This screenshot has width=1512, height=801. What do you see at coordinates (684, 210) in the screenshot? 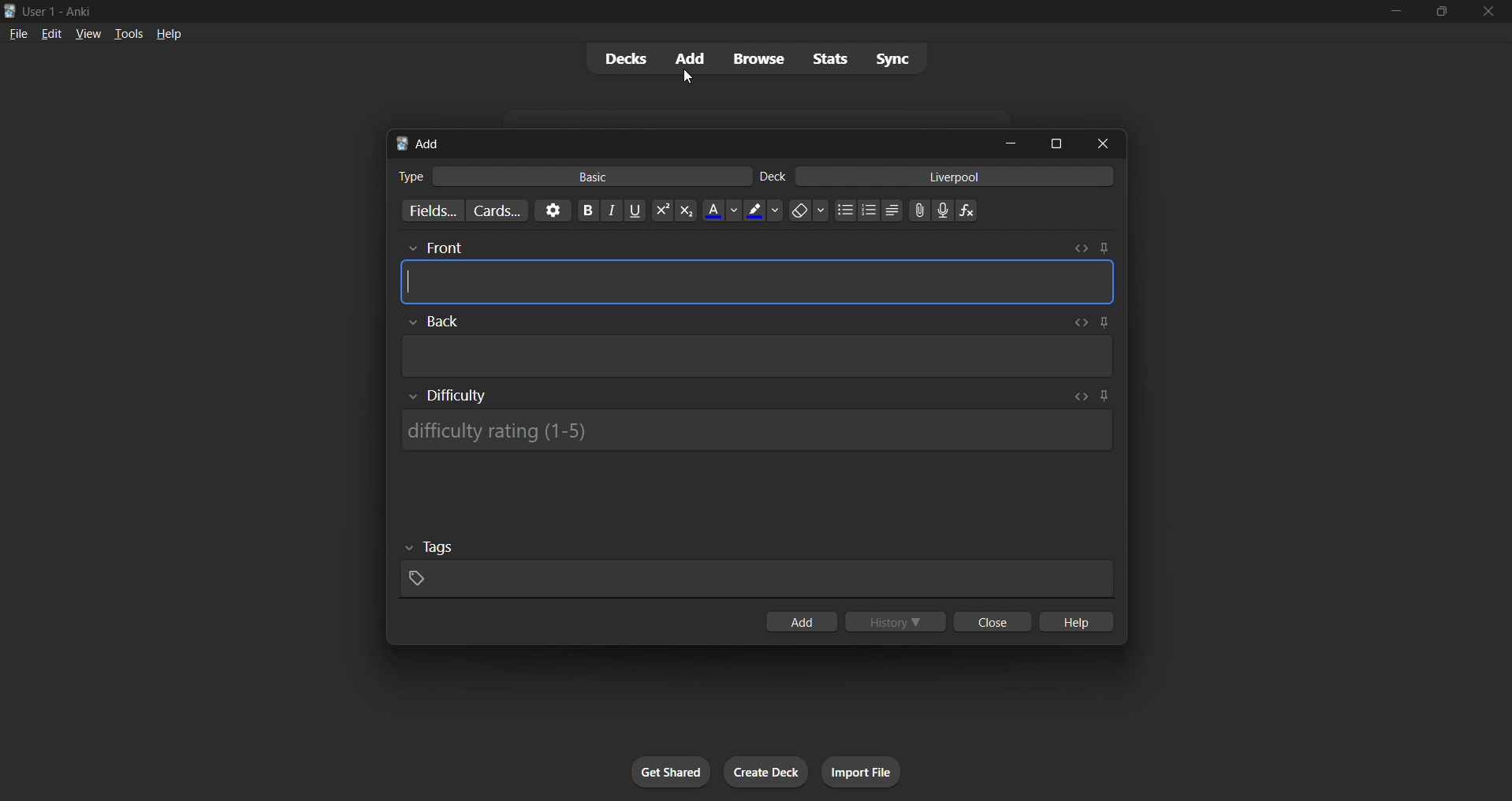
I see `subscript` at bounding box center [684, 210].